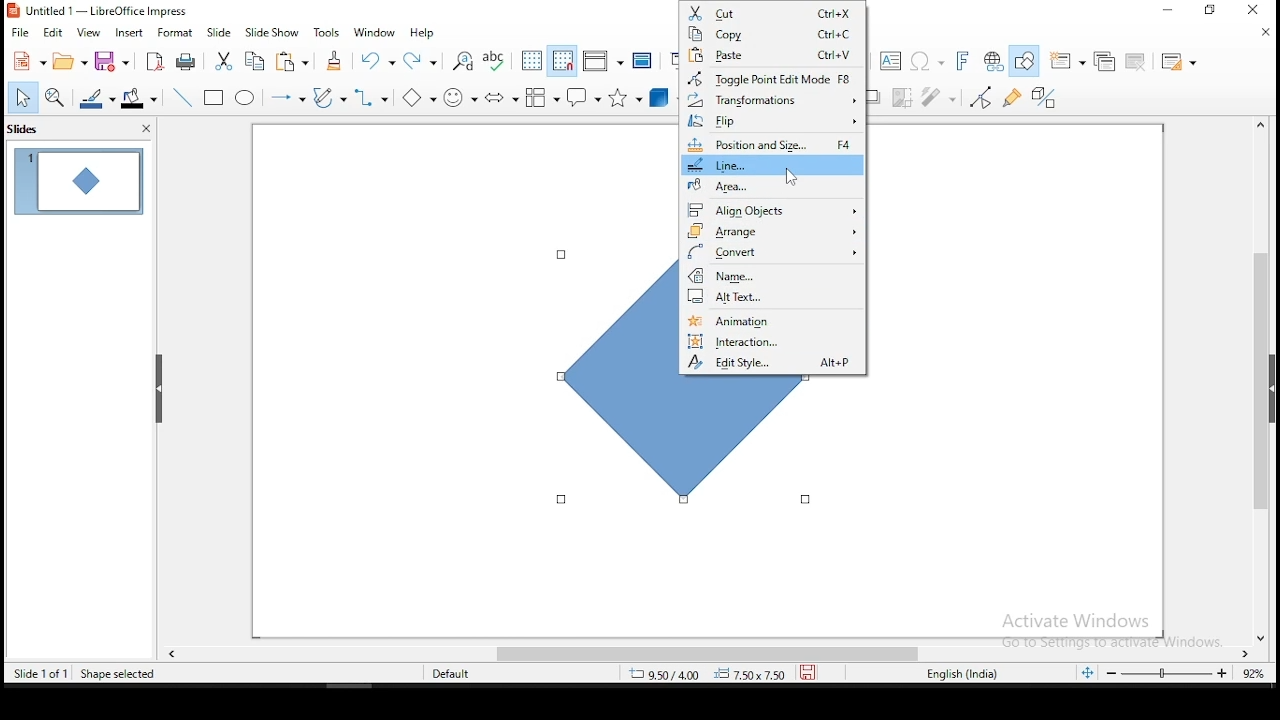  What do you see at coordinates (1066, 60) in the screenshot?
I see `new slide` at bounding box center [1066, 60].